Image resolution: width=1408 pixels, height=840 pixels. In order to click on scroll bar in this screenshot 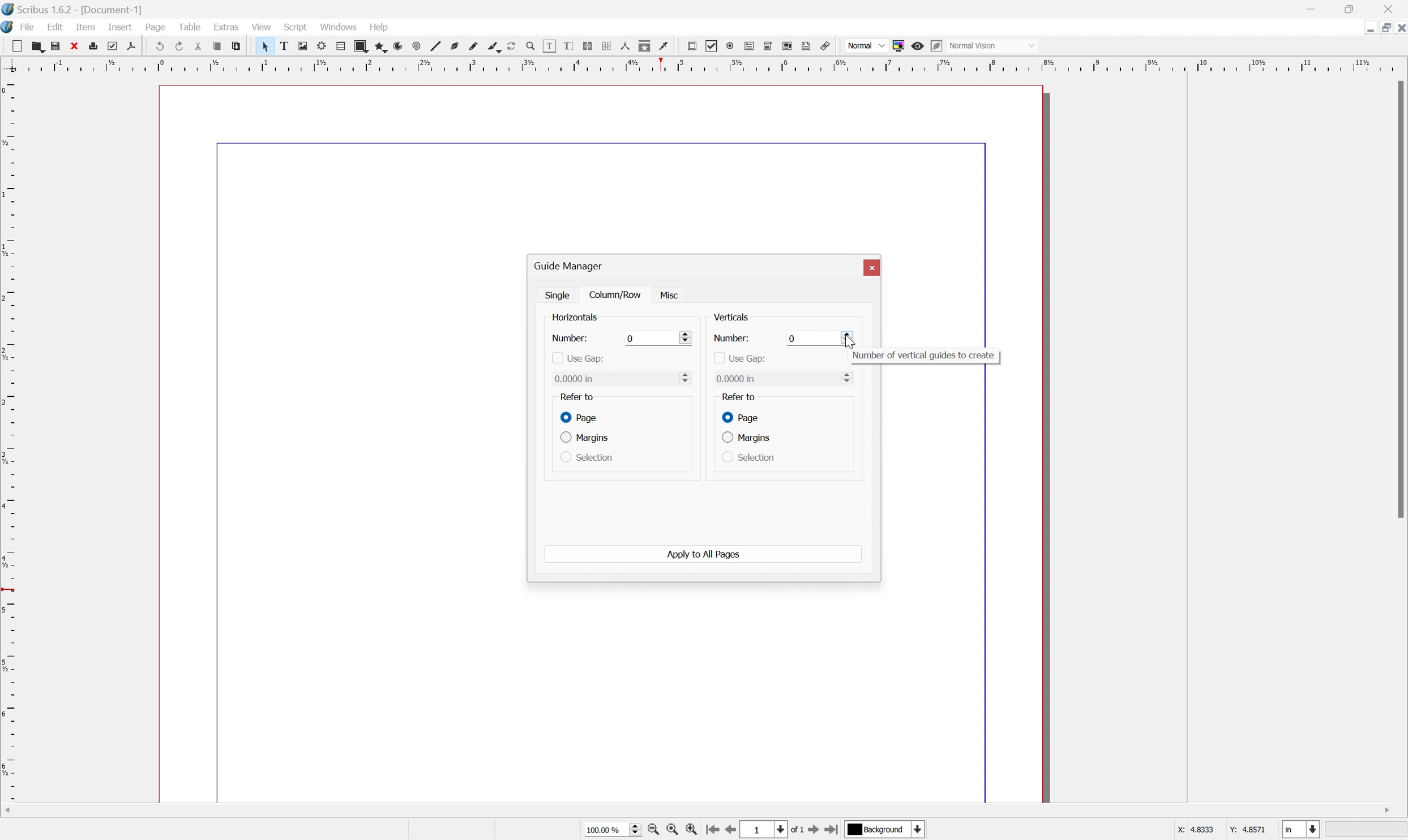, I will do `click(700, 811)`.